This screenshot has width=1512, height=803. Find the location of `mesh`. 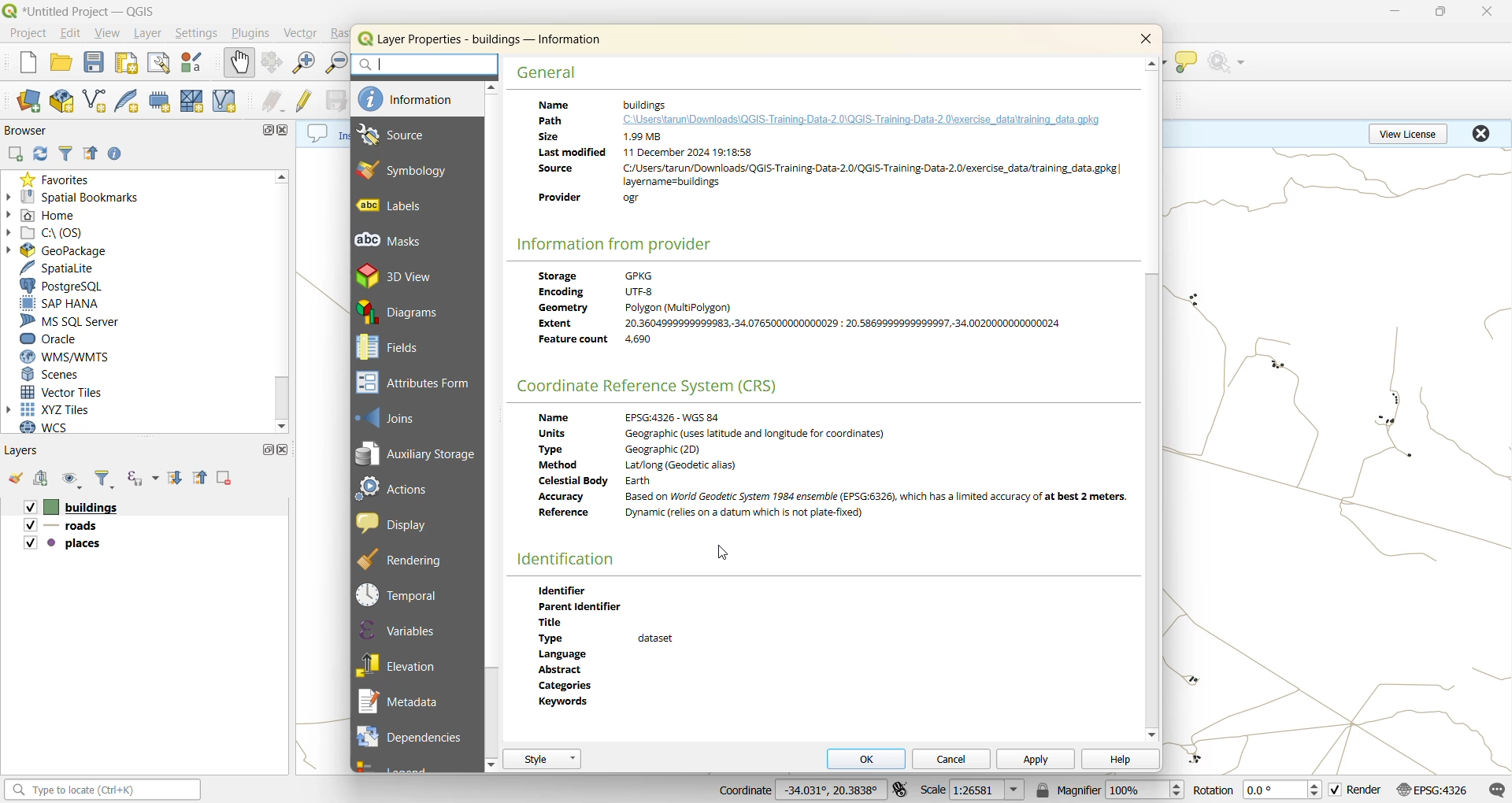

mesh is located at coordinates (192, 102).